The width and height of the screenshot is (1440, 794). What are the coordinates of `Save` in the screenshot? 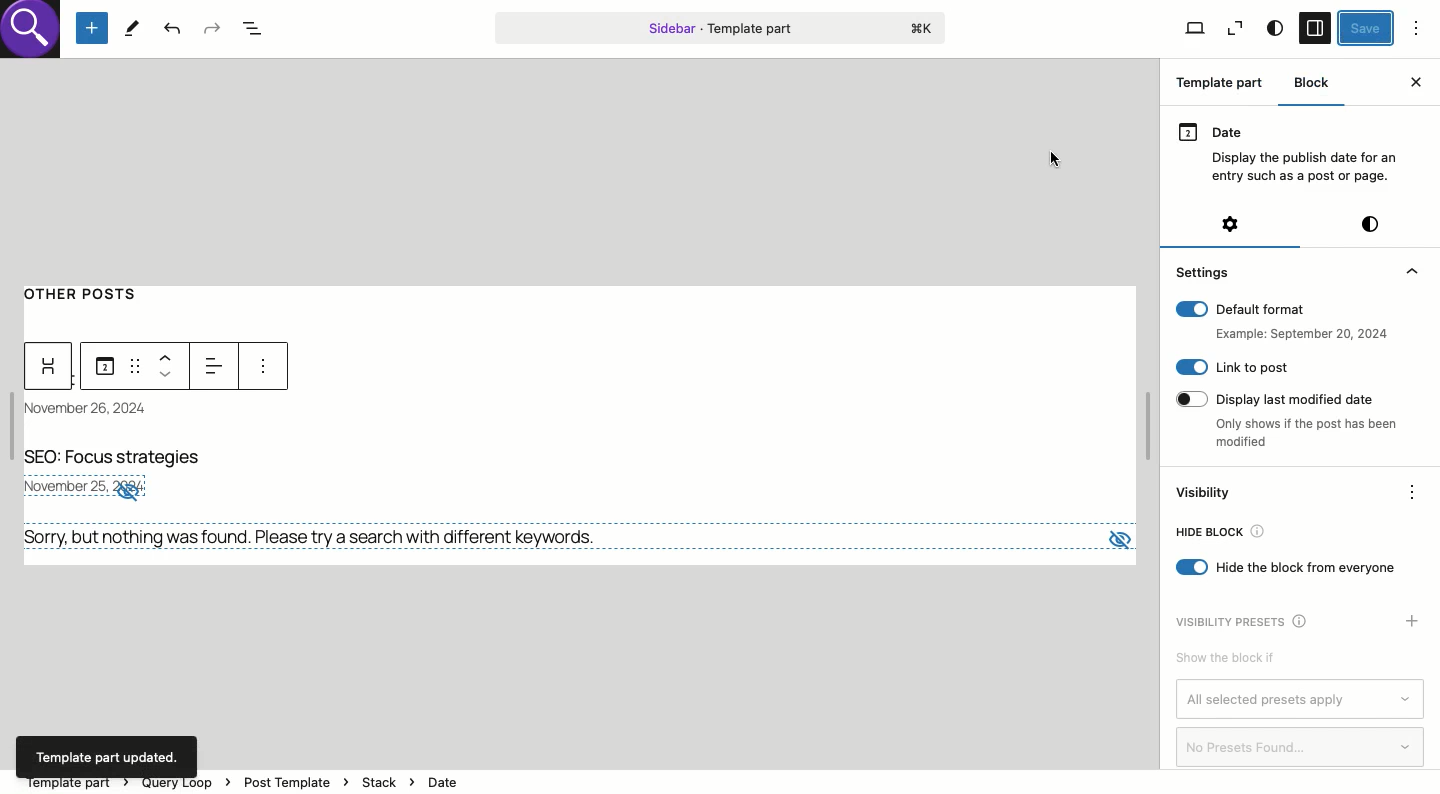 It's located at (1367, 28).